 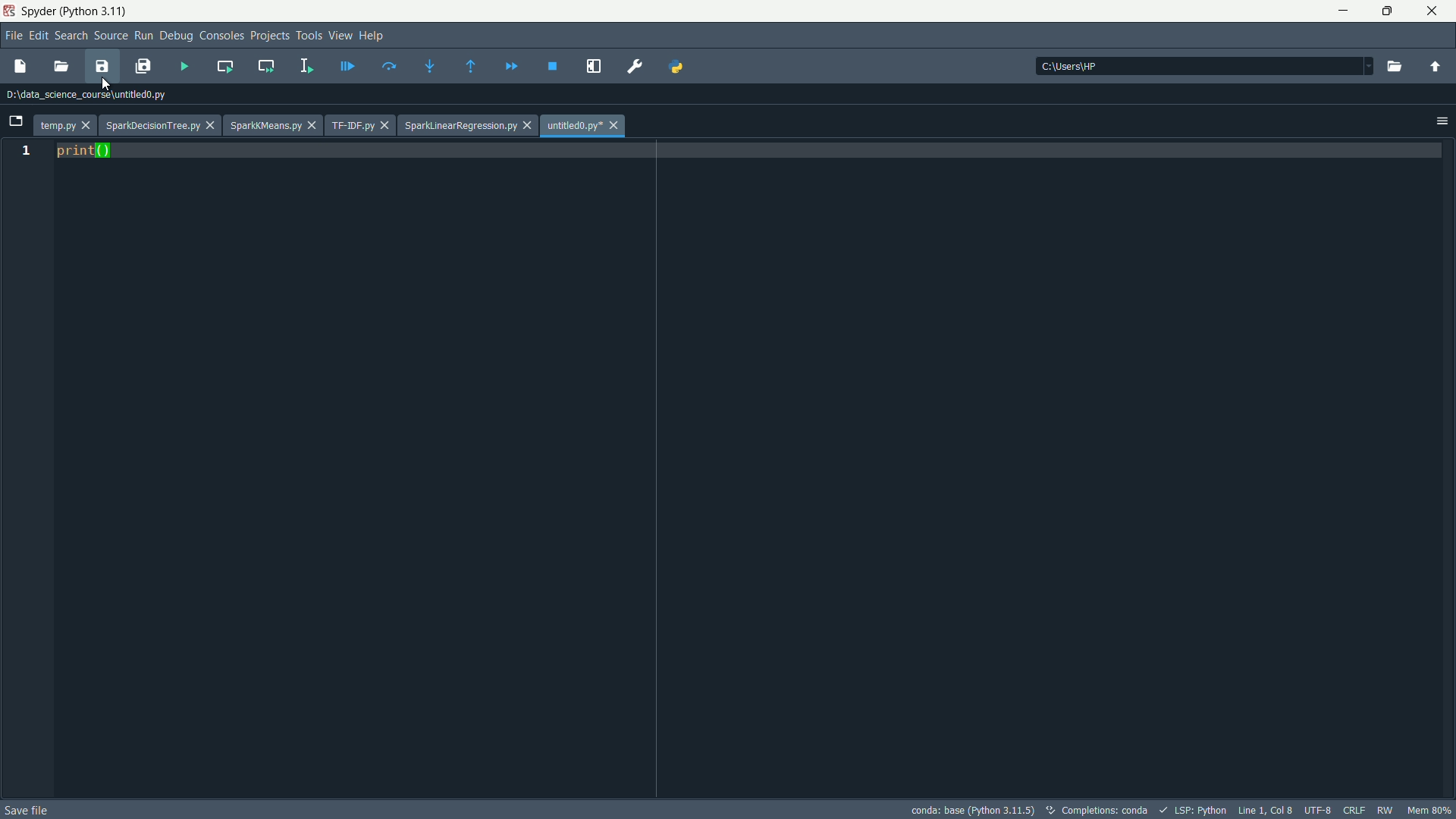 What do you see at coordinates (1436, 66) in the screenshot?
I see `change to  parent directory` at bounding box center [1436, 66].